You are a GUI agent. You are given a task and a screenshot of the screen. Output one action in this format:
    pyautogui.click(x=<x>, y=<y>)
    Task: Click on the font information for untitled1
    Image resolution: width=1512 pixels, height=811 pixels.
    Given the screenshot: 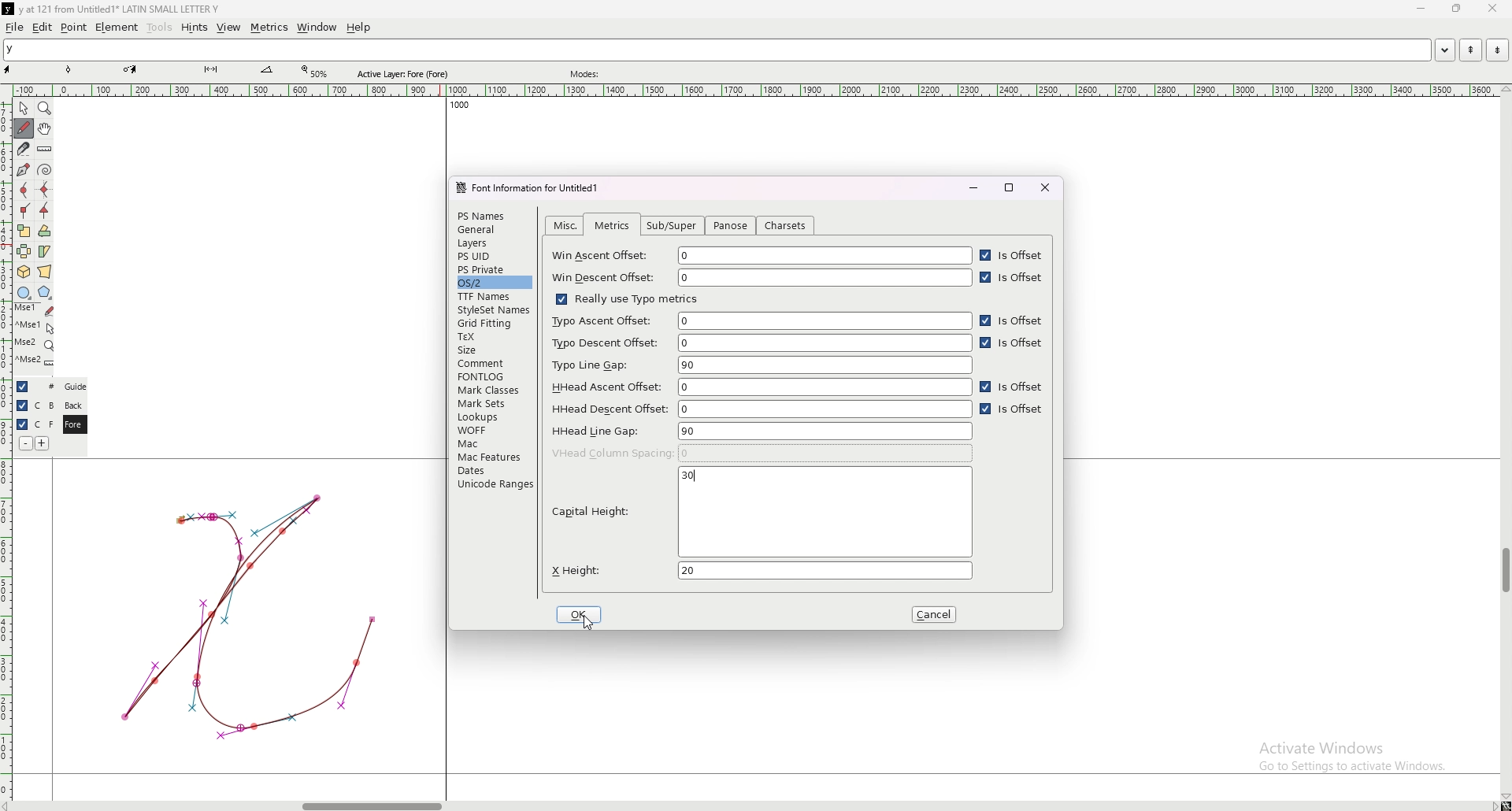 What is the action you would take?
    pyautogui.click(x=533, y=188)
    